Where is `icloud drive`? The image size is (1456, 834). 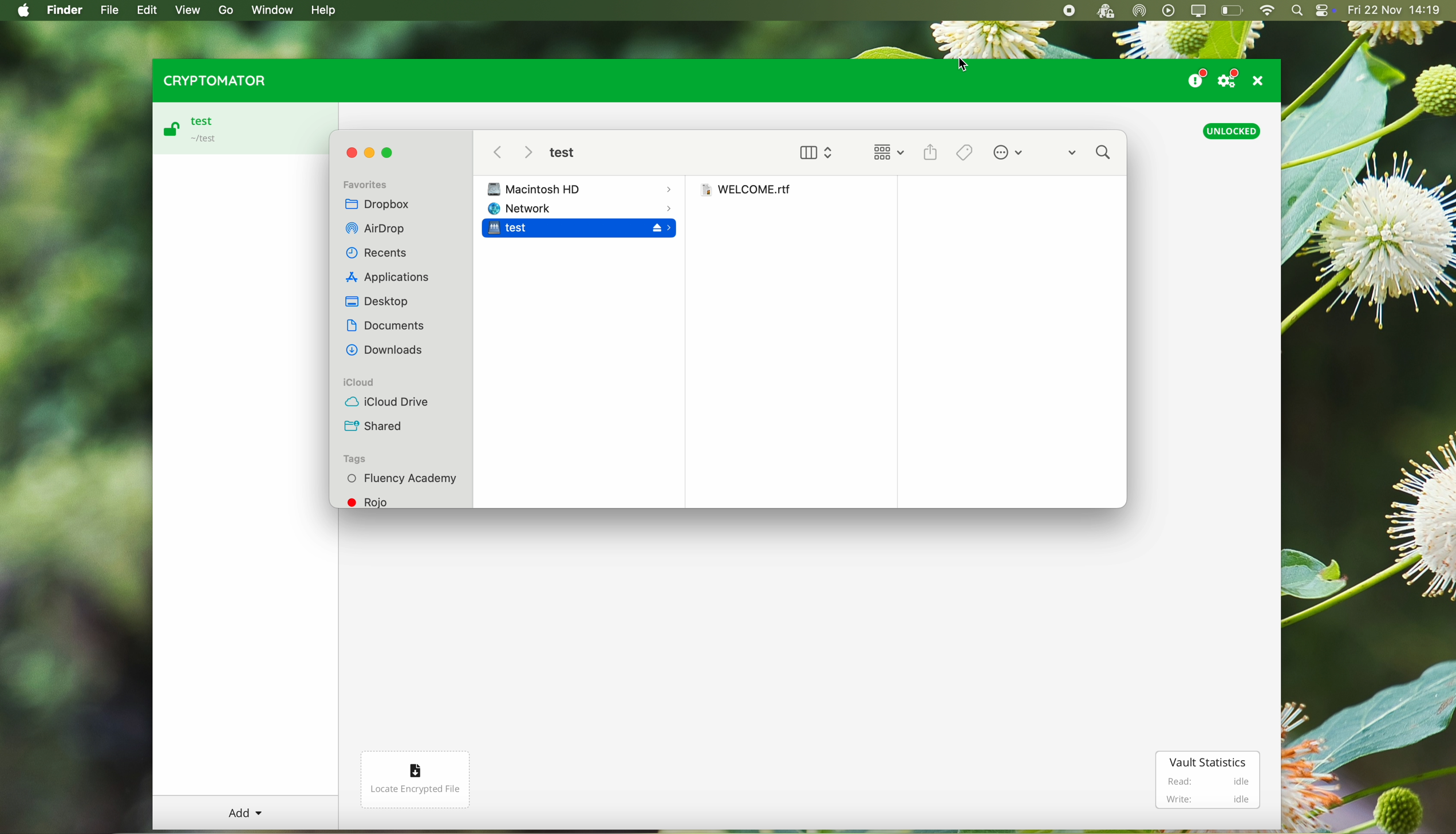
icloud drive is located at coordinates (385, 401).